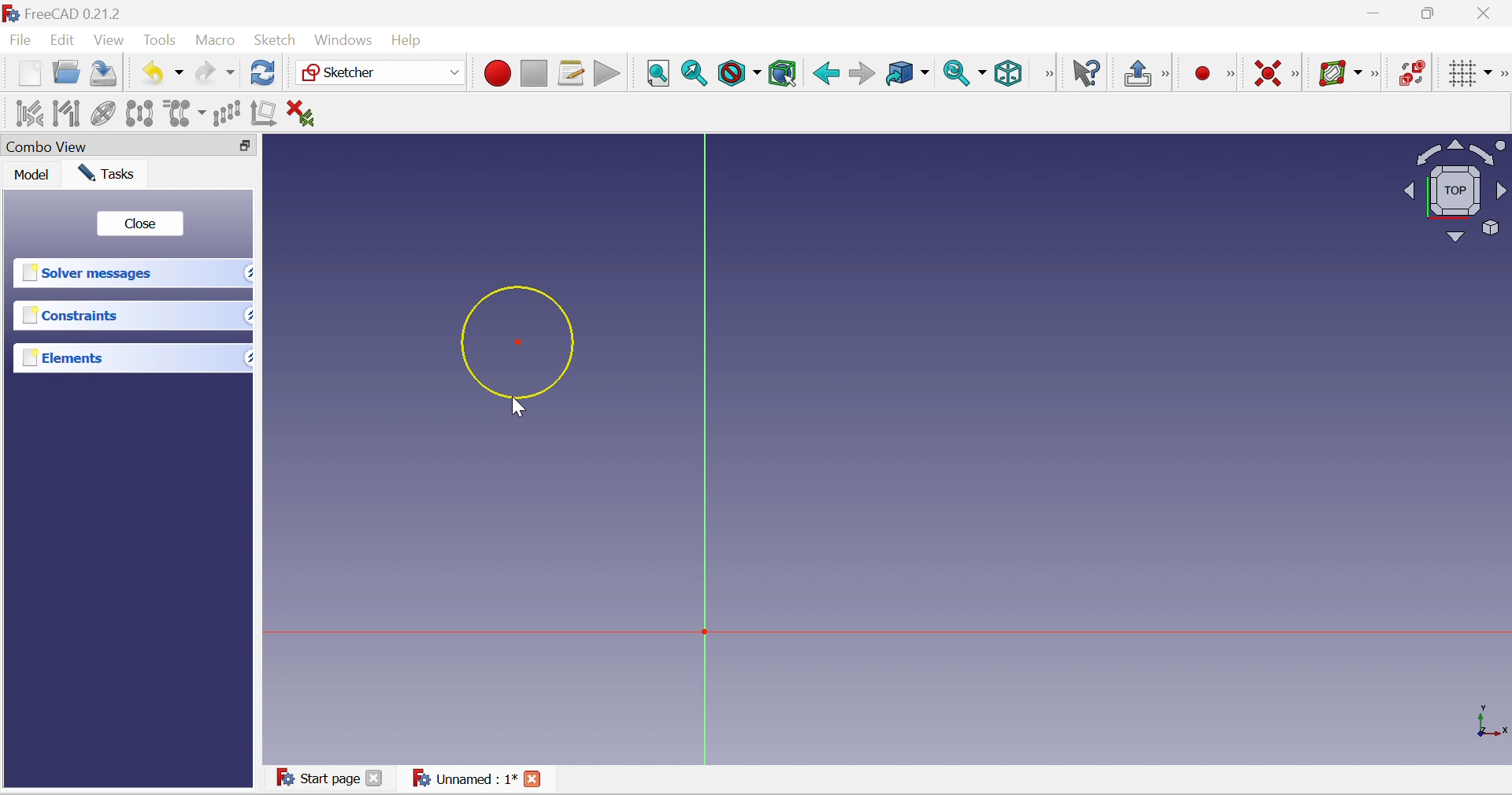 Image resolution: width=1512 pixels, height=795 pixels. Describe the element at coordinates (1340, 72) in the screenshot. I see `Show/hide B-spline information layer` at that location.